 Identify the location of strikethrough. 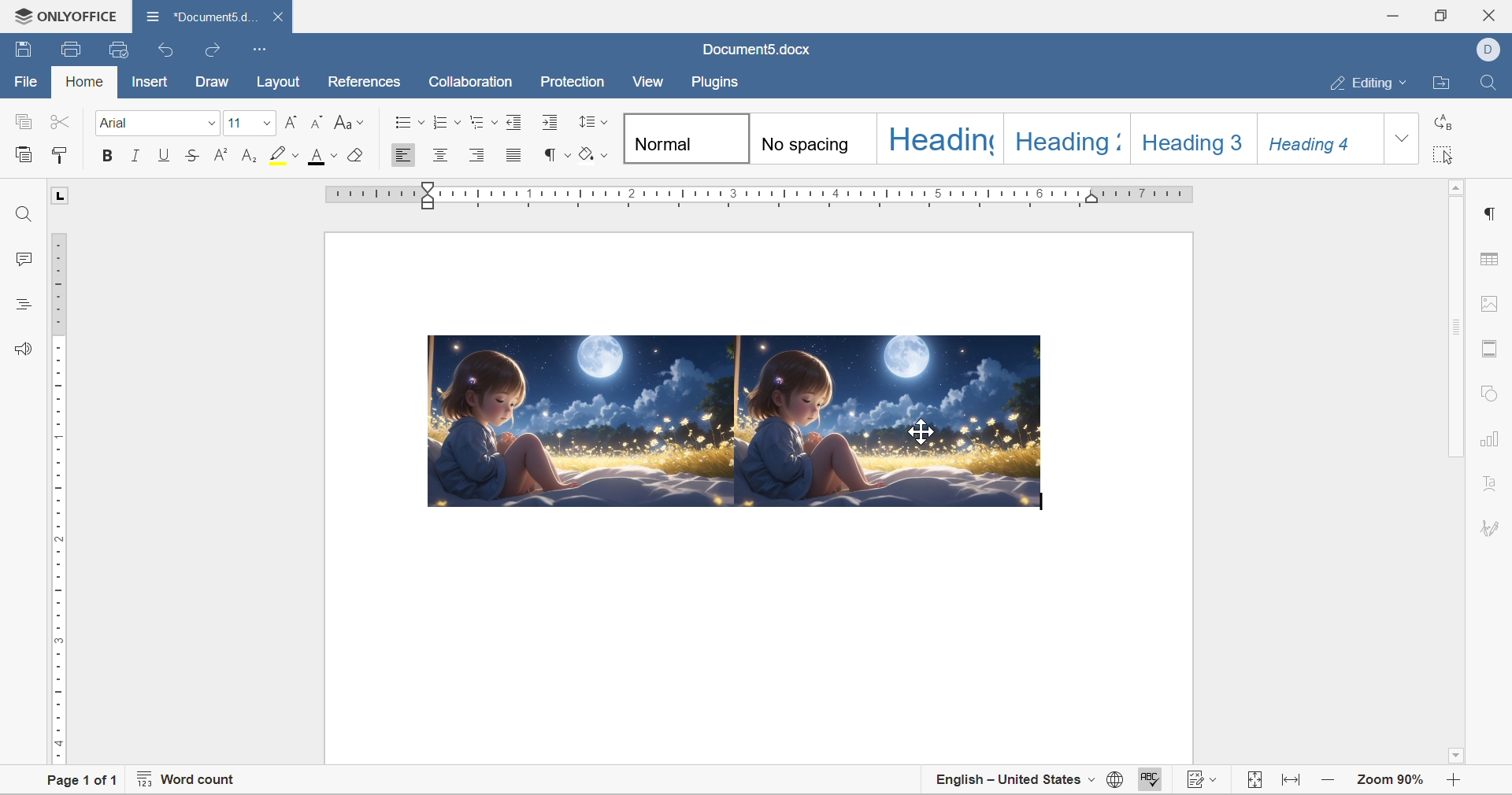
(192, 155).